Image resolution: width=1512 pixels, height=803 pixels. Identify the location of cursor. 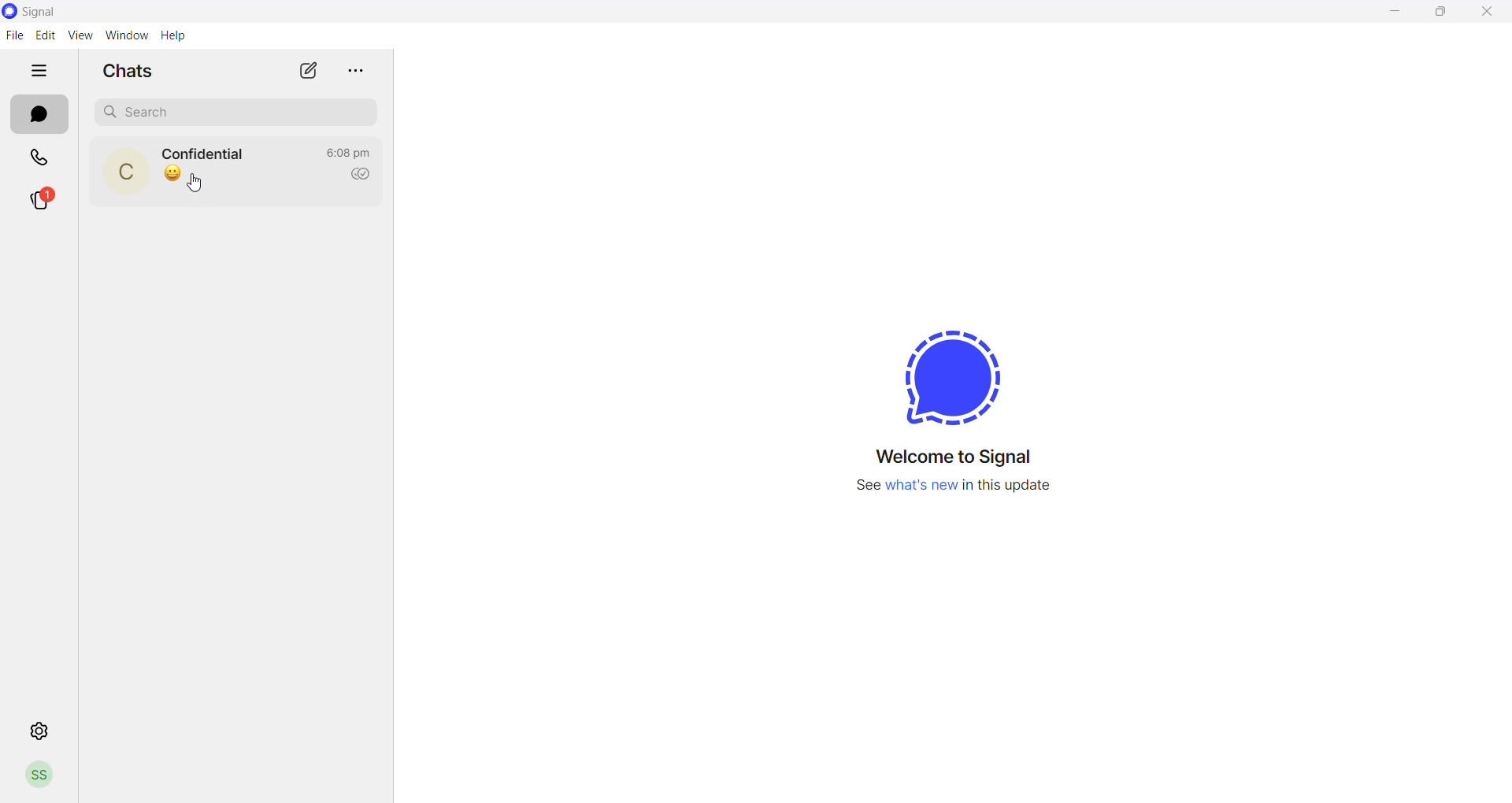
(202, 187).